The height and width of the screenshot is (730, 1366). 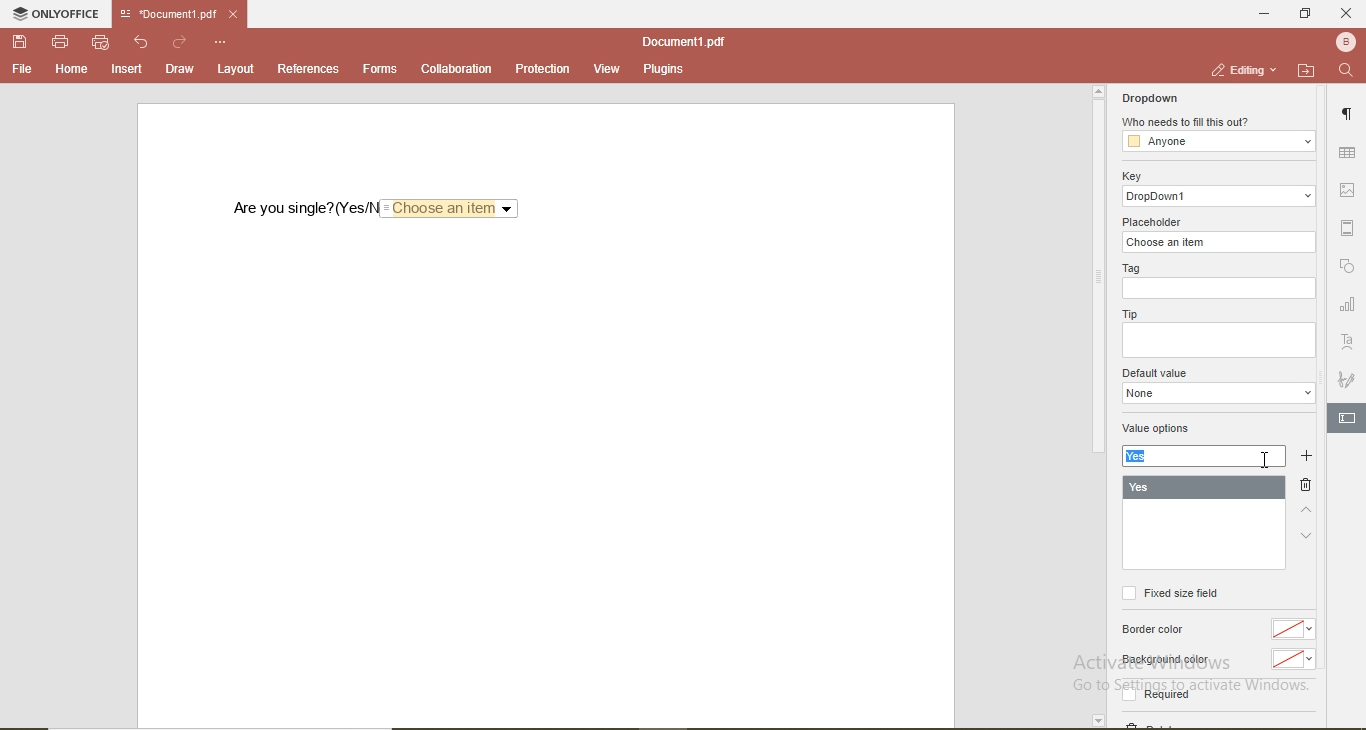 What do you see at coordinates (221, 43) in the screenshot?
I see `options` at bounding box center [221, 43].